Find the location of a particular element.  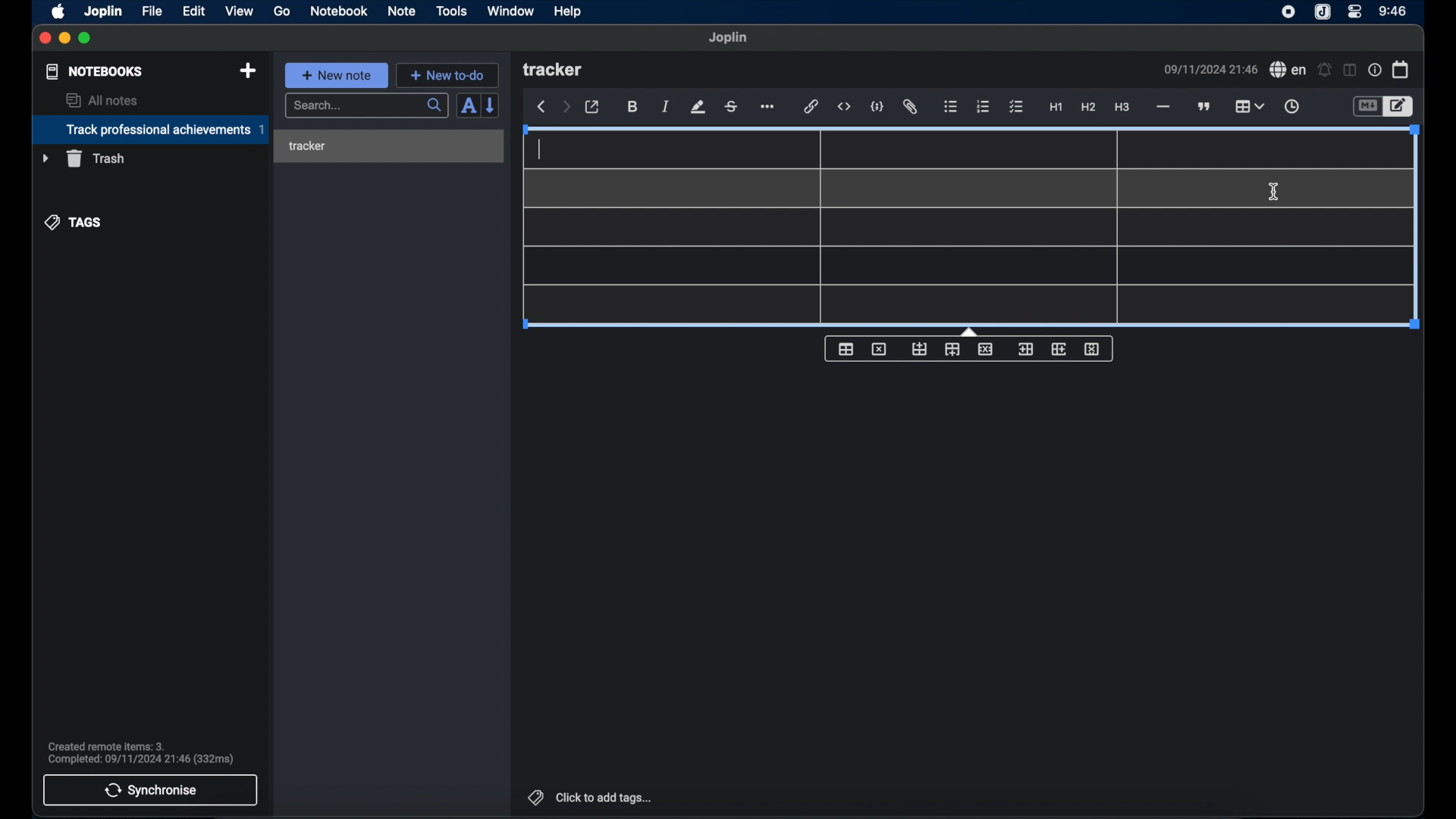

new notebook is located at coordinates (248, 71).